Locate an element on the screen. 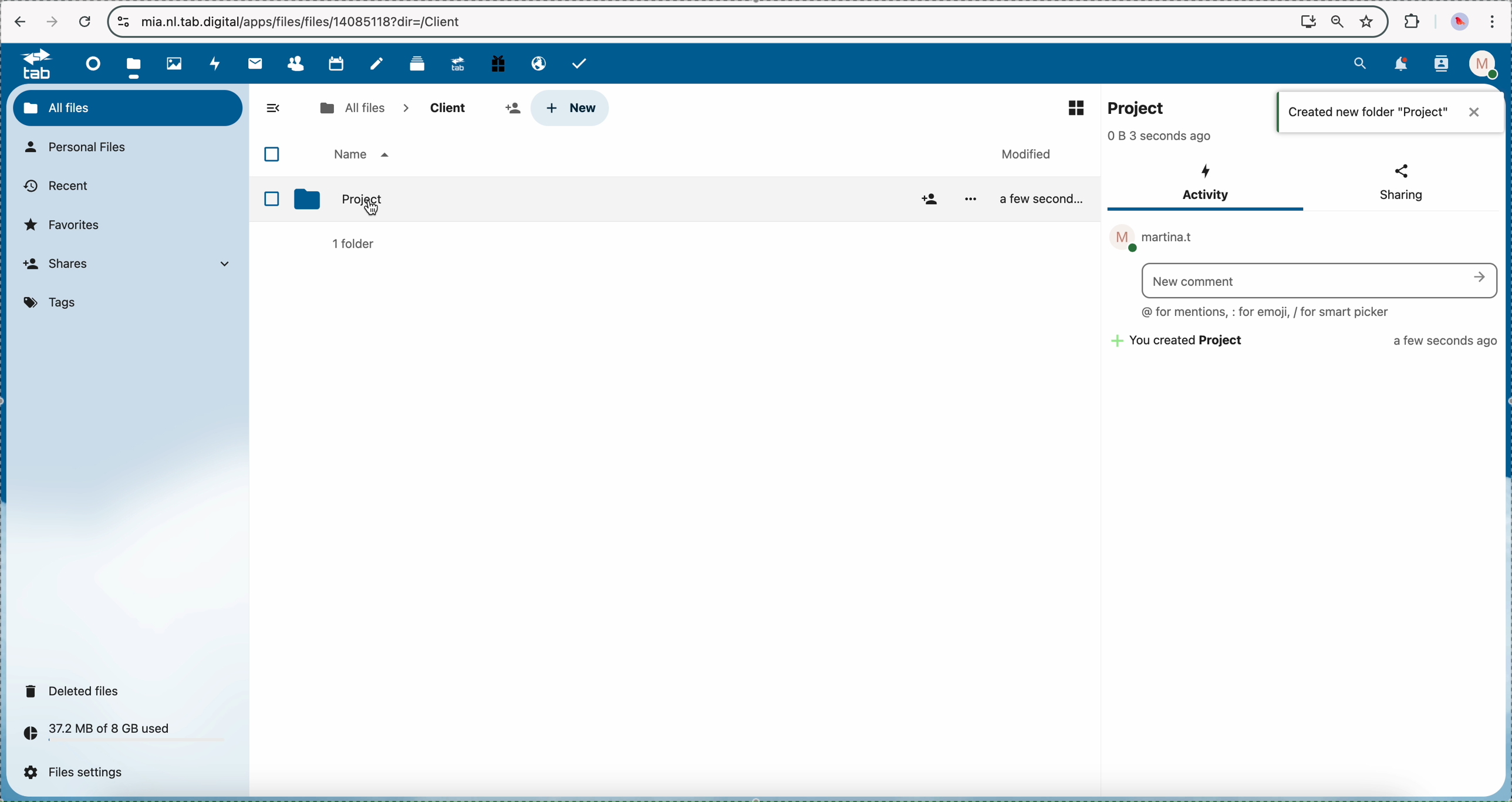  navigate back is located at coordinates (21, 23).